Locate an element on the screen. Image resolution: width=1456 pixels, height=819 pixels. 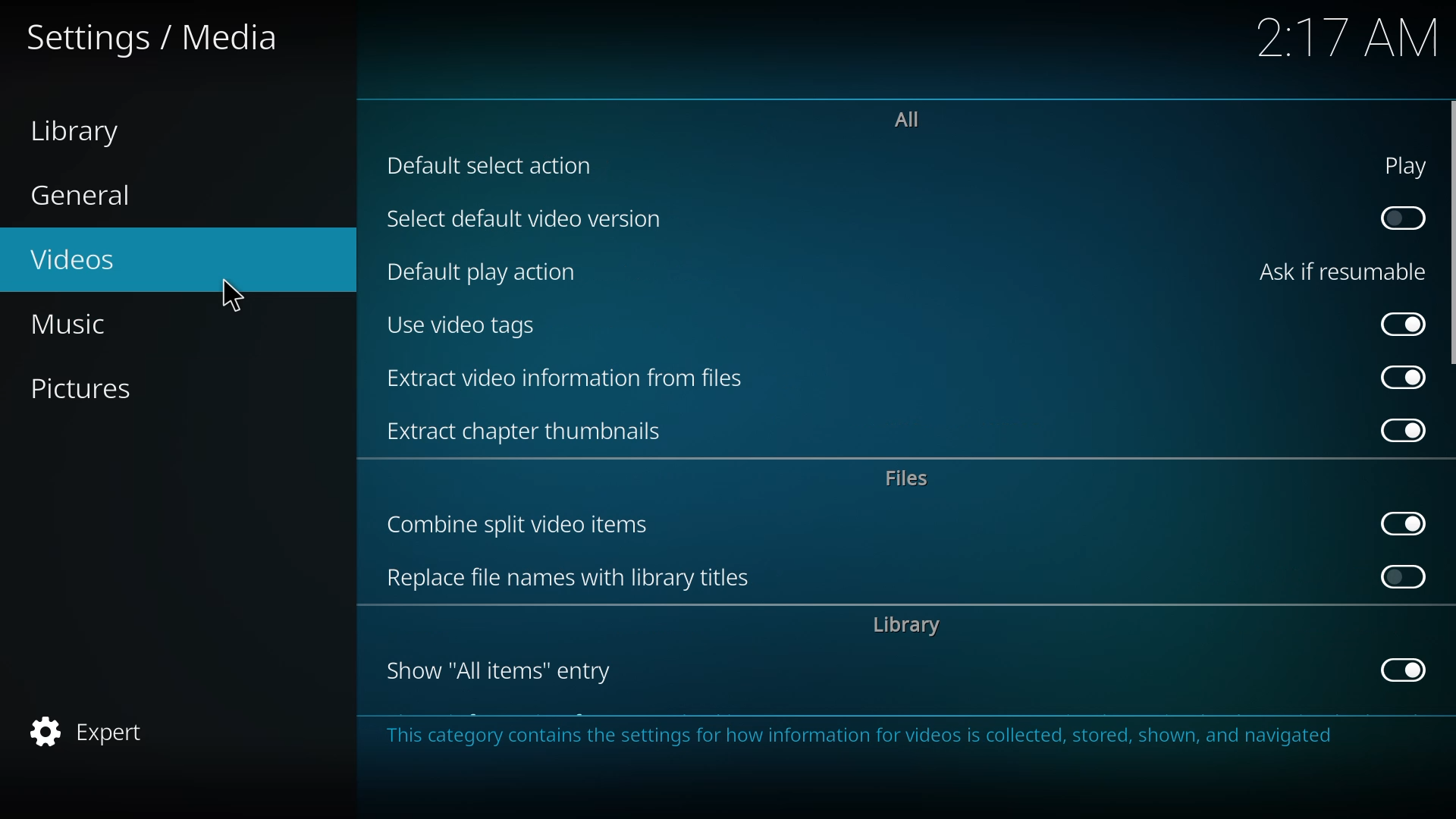
extract chapter thumbnails is located at coordinates (531, 429).